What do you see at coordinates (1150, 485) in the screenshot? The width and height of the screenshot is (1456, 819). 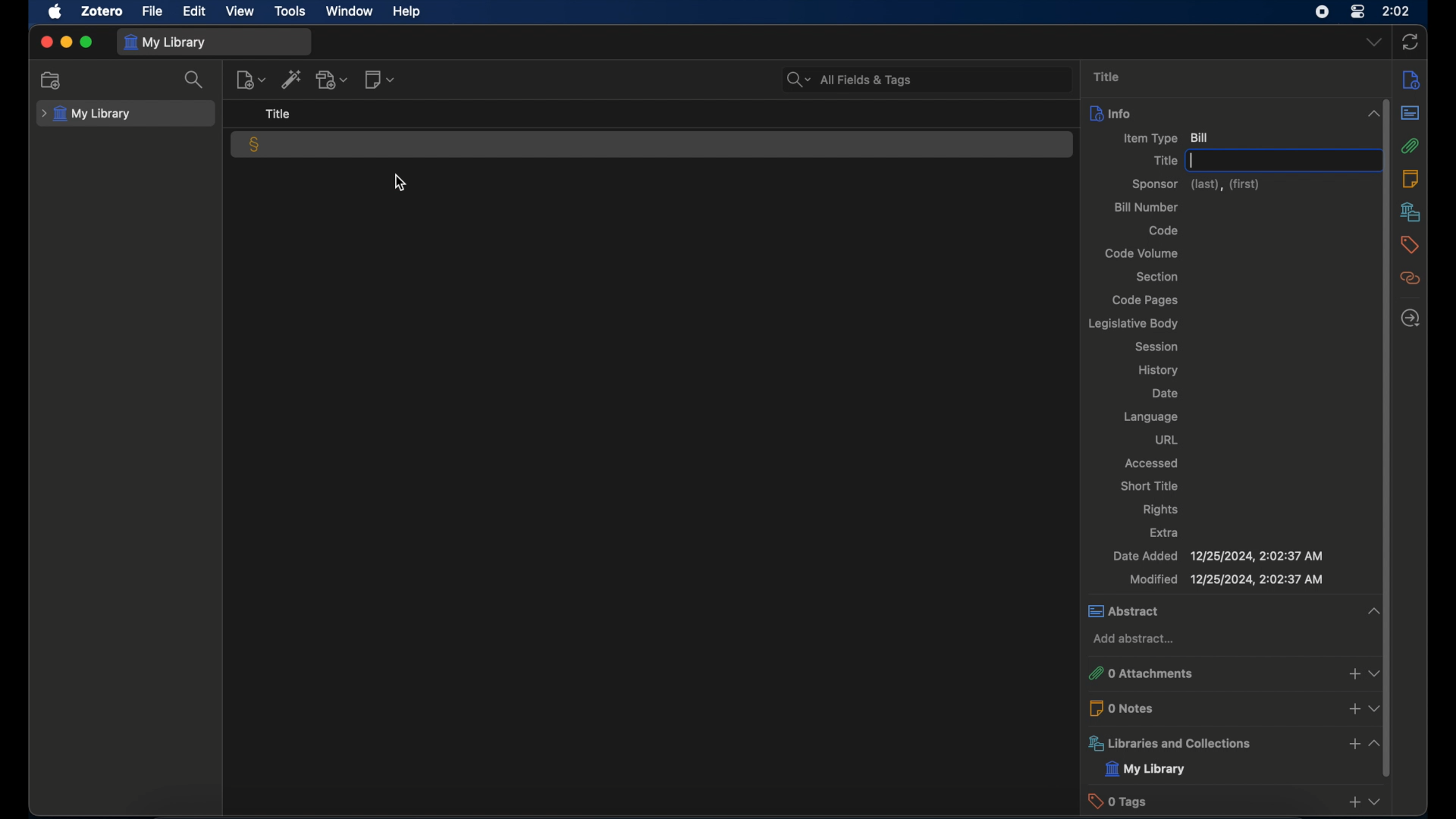 I see `short title` at bounding box center [1150, 485].